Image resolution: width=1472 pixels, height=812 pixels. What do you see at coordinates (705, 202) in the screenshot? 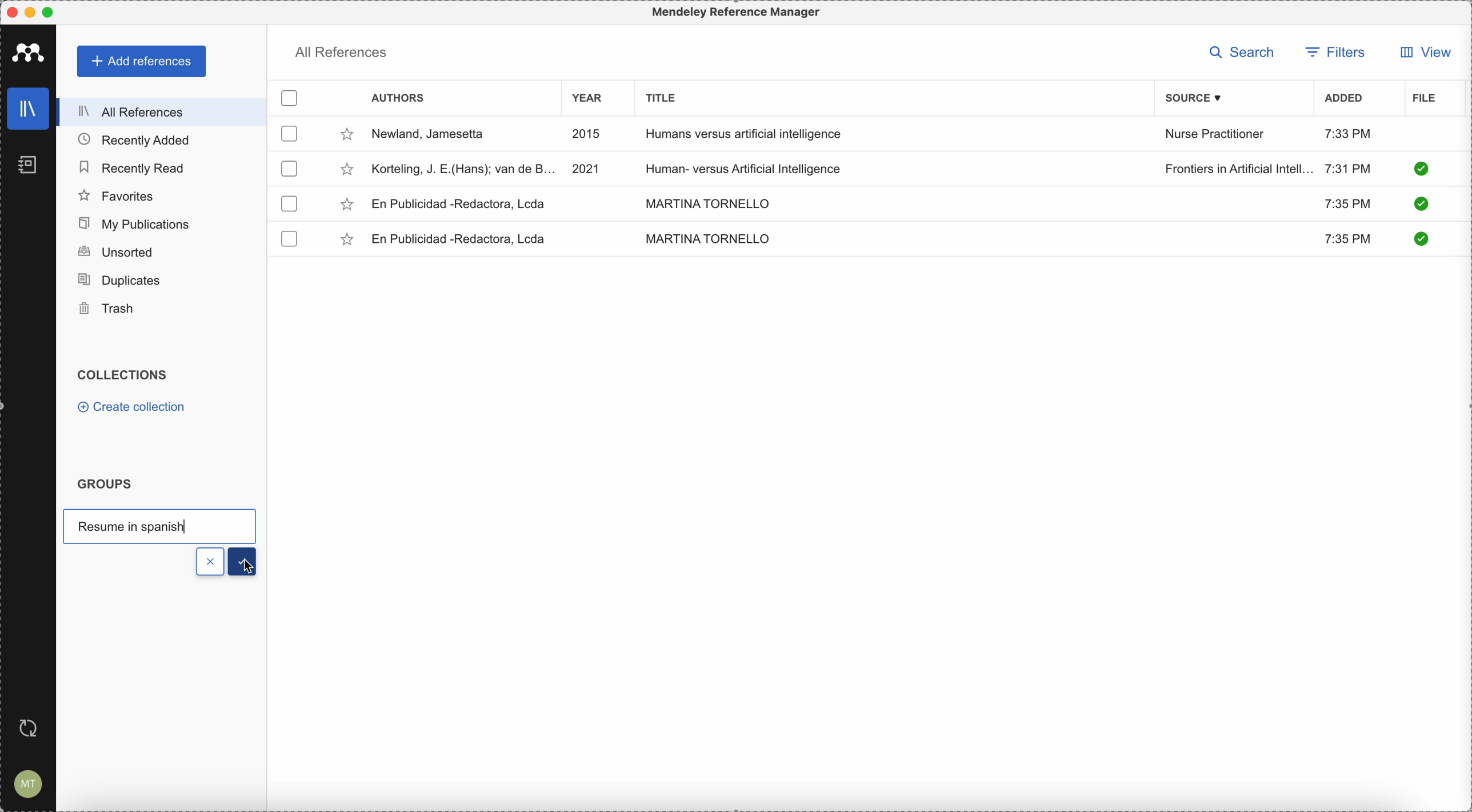
I see `MARTINA TORNELLO` at bounding box center [705, 202].